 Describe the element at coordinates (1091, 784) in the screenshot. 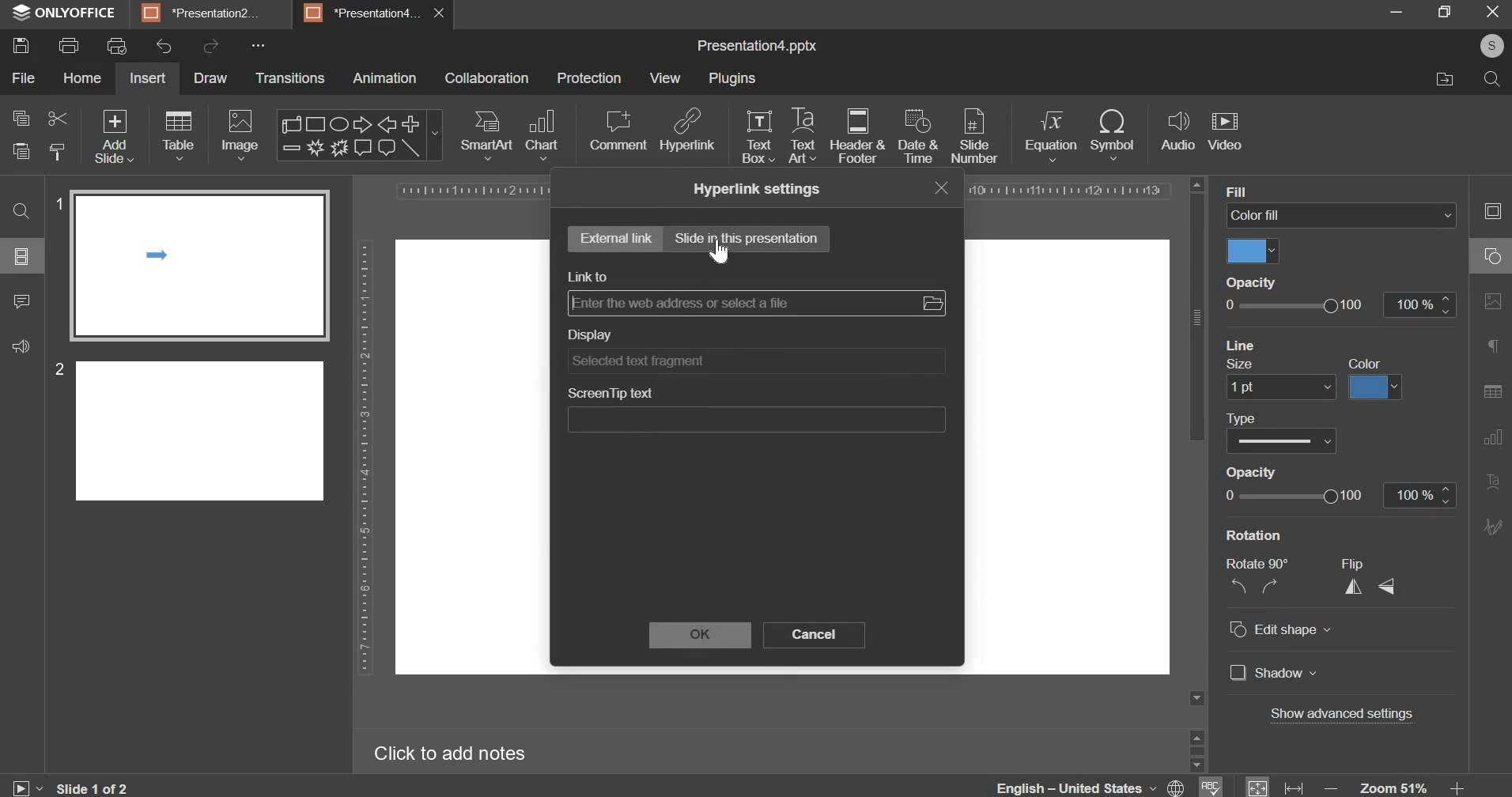

I see `language` at that location.